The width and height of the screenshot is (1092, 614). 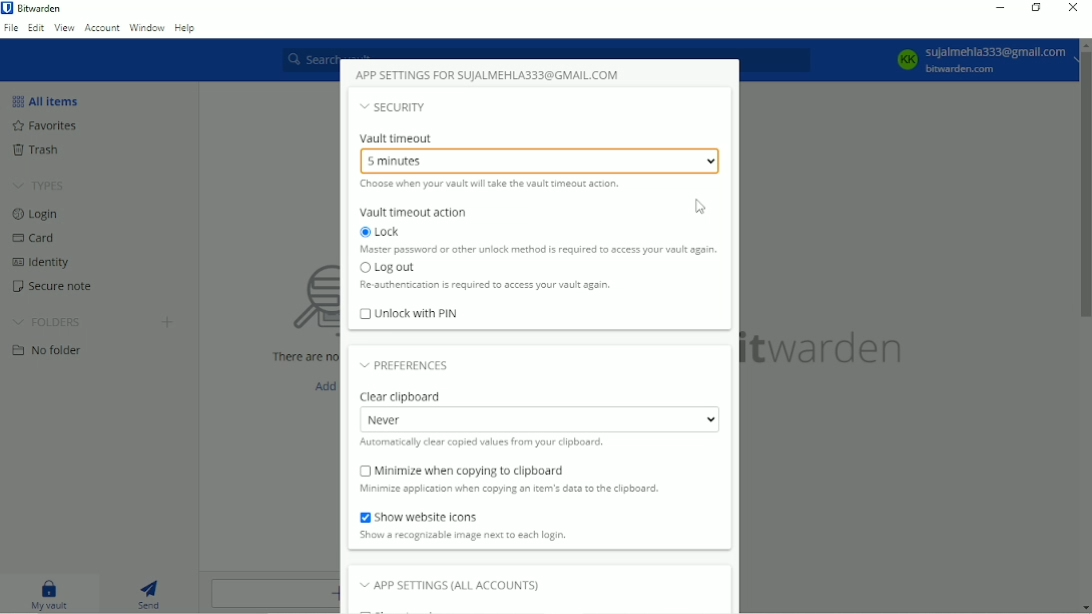 What do you see at coordinates (147, 26) in the screenshot?
I see `Window` at bounding box center [147, 26].